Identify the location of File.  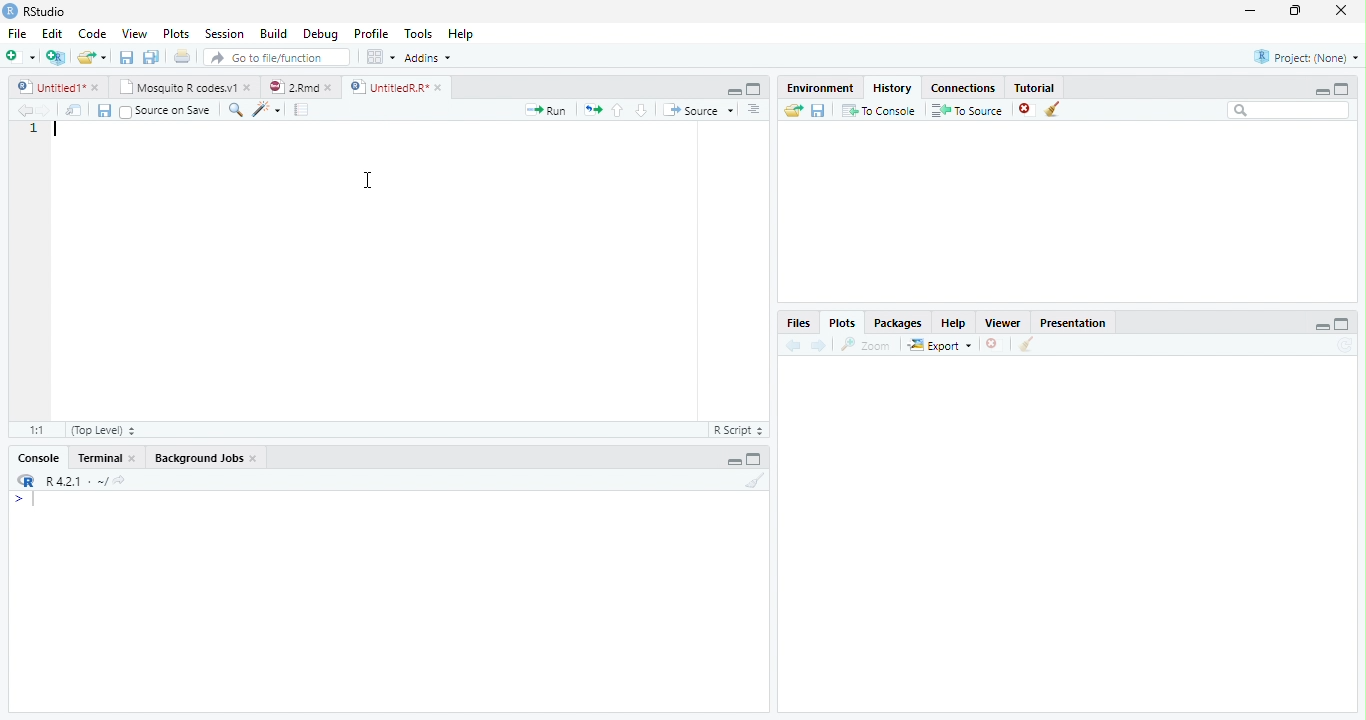
(17, 35).